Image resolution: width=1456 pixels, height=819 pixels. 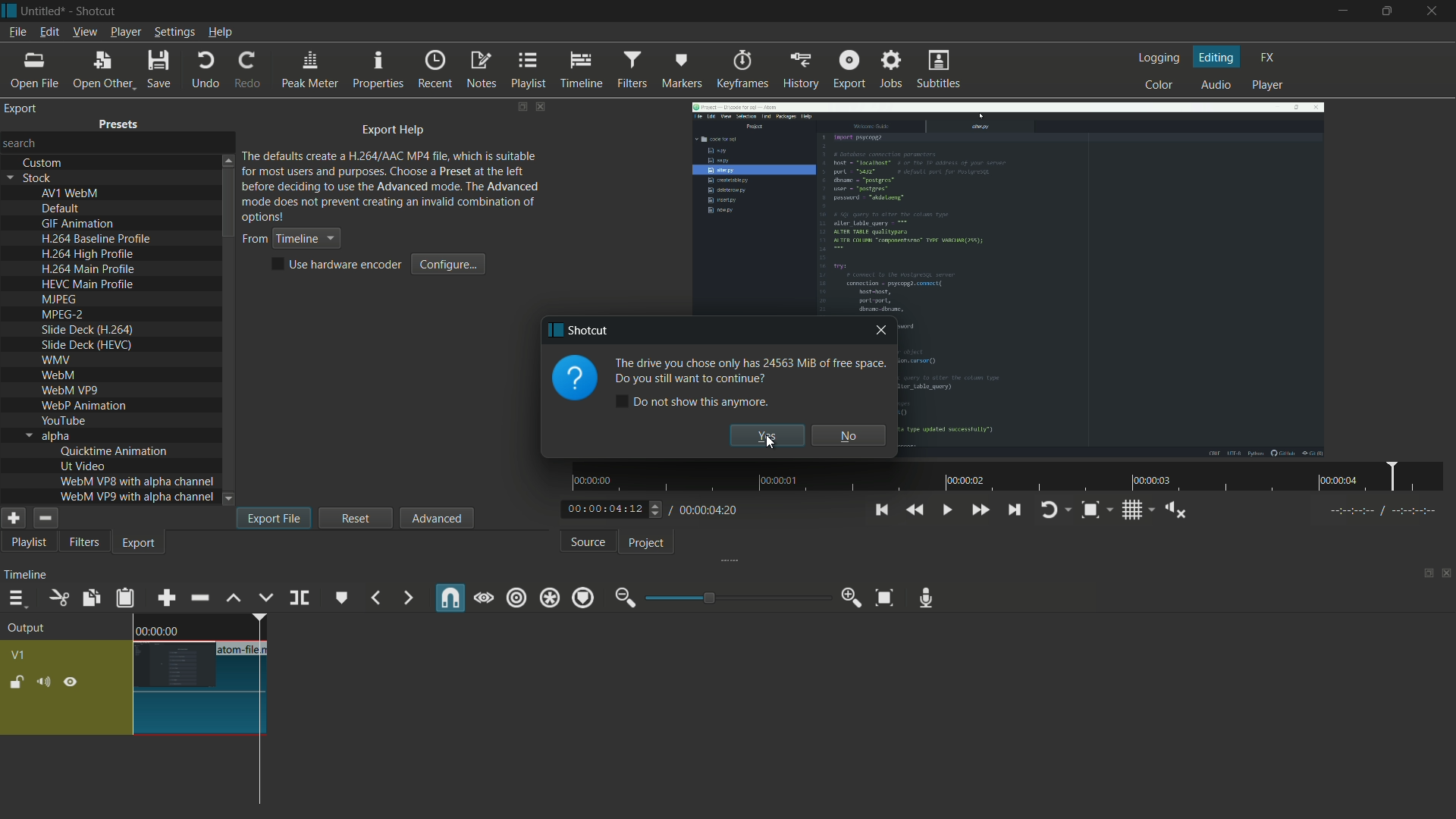 I want to click on skip to the next point, so click(x=1016, y=510).